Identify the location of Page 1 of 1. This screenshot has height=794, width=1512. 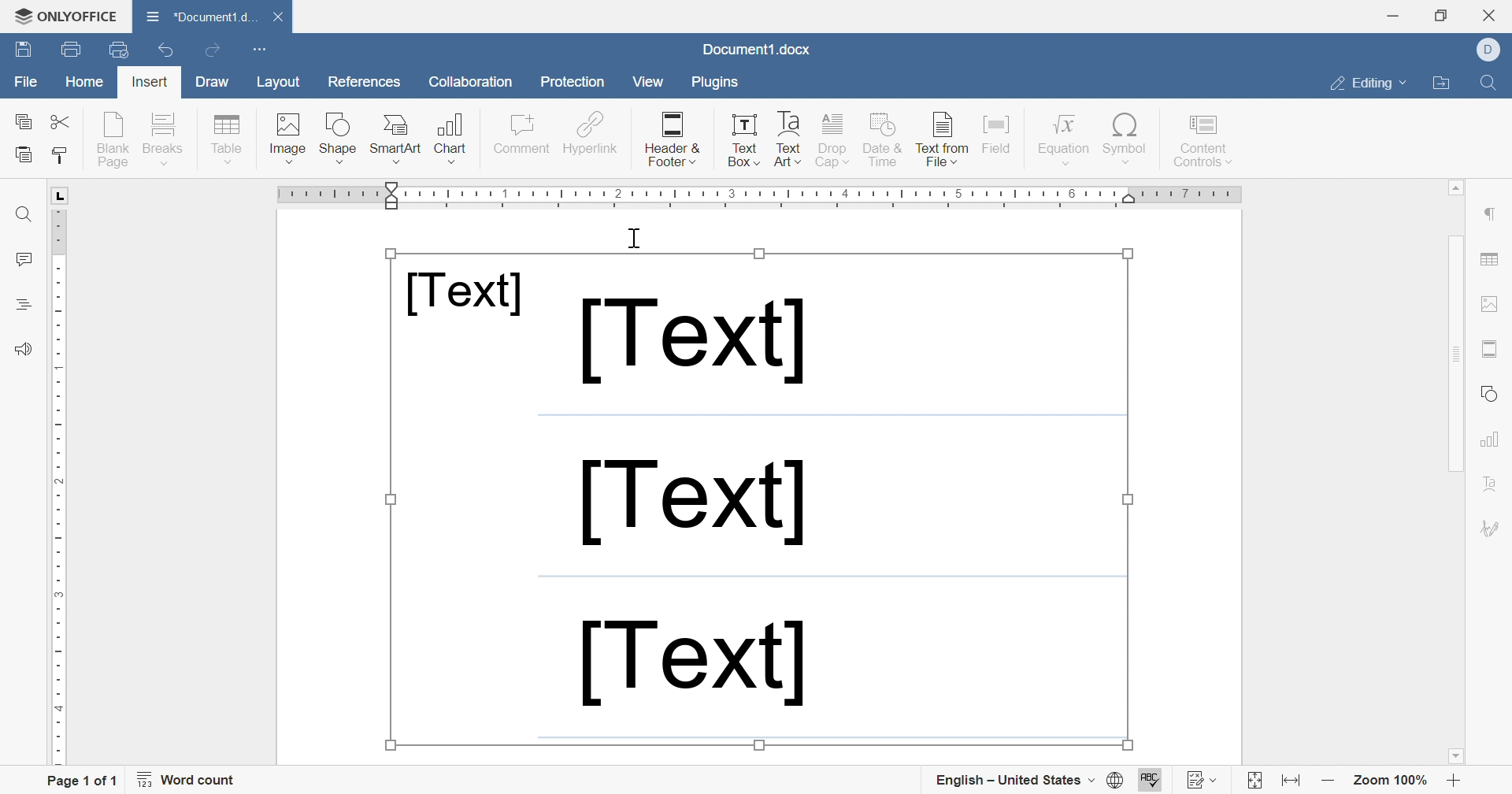
(80, 779).